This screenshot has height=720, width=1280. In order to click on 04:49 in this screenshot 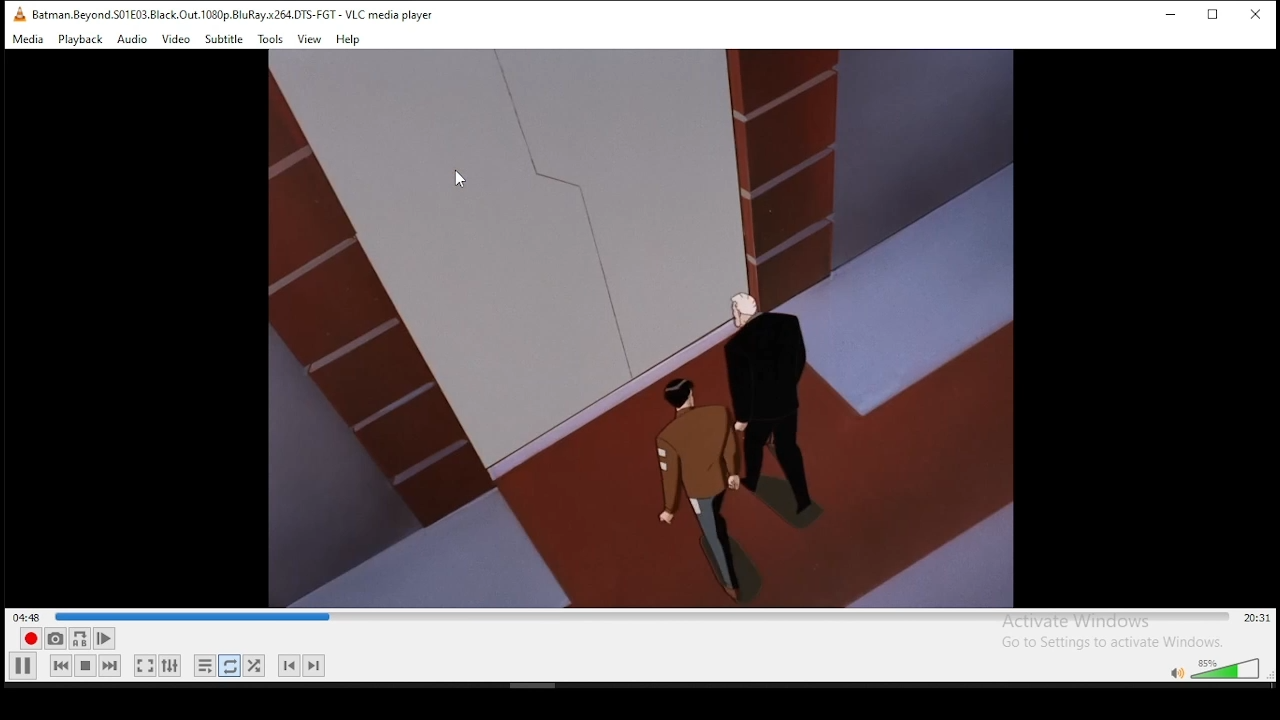, I will do `click(25, 618)`.